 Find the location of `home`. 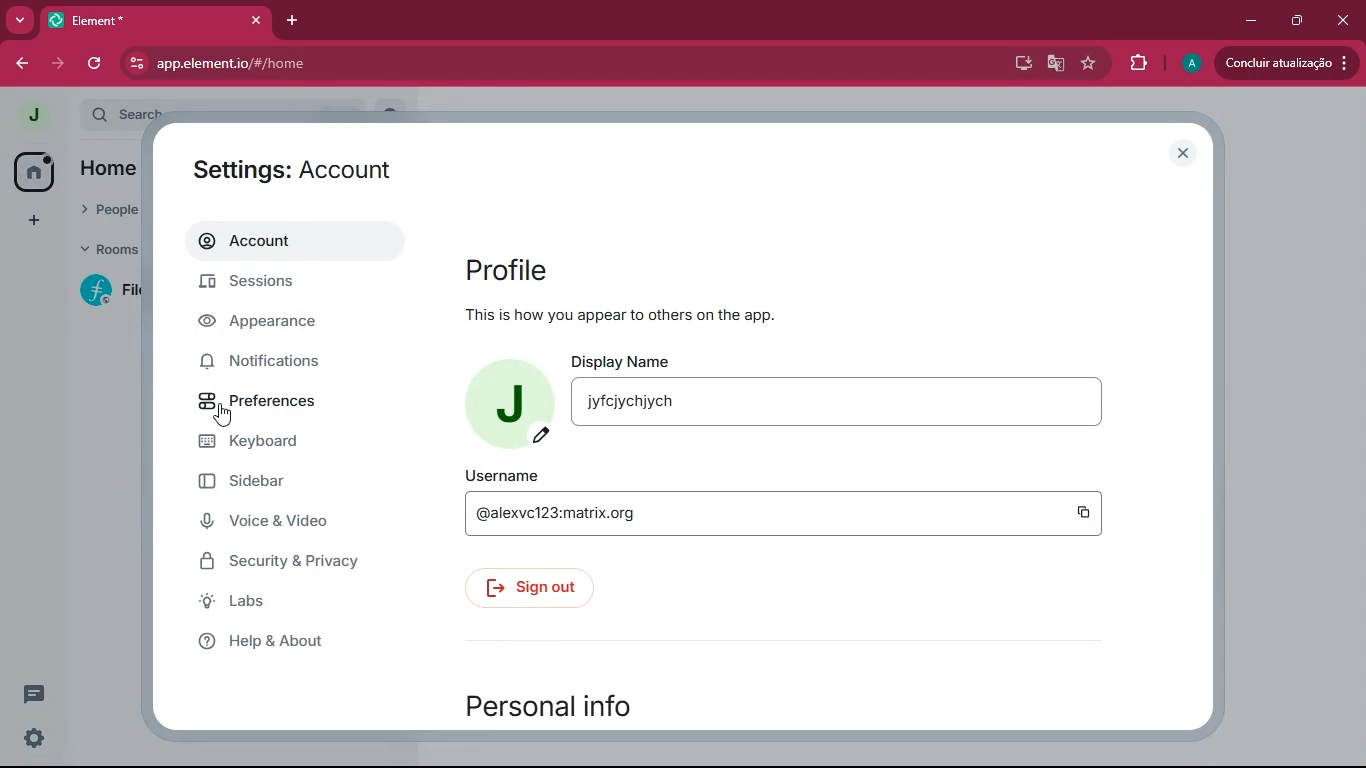

home is located at coordinates (38, 170).